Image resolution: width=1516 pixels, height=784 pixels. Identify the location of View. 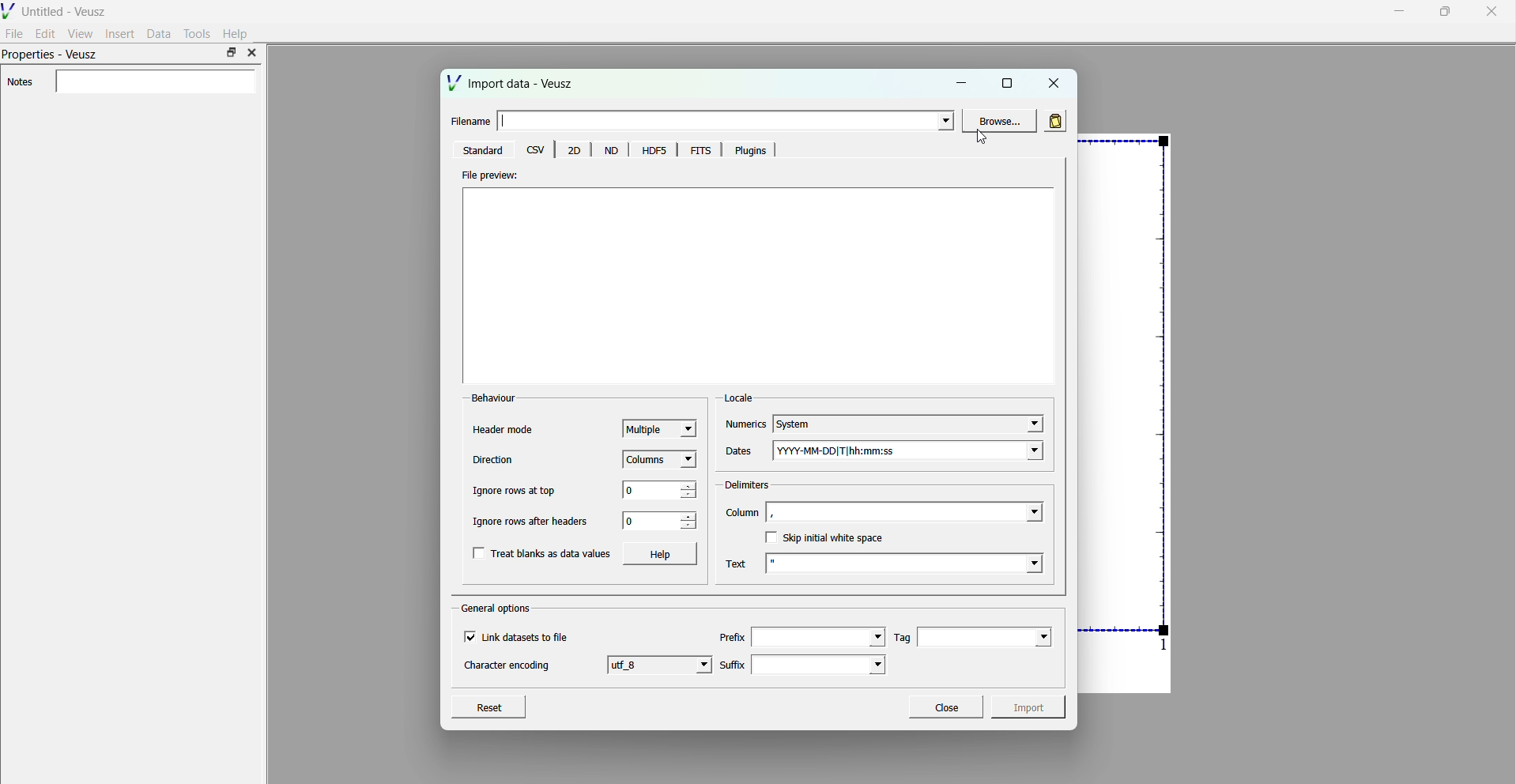
(80, 33).